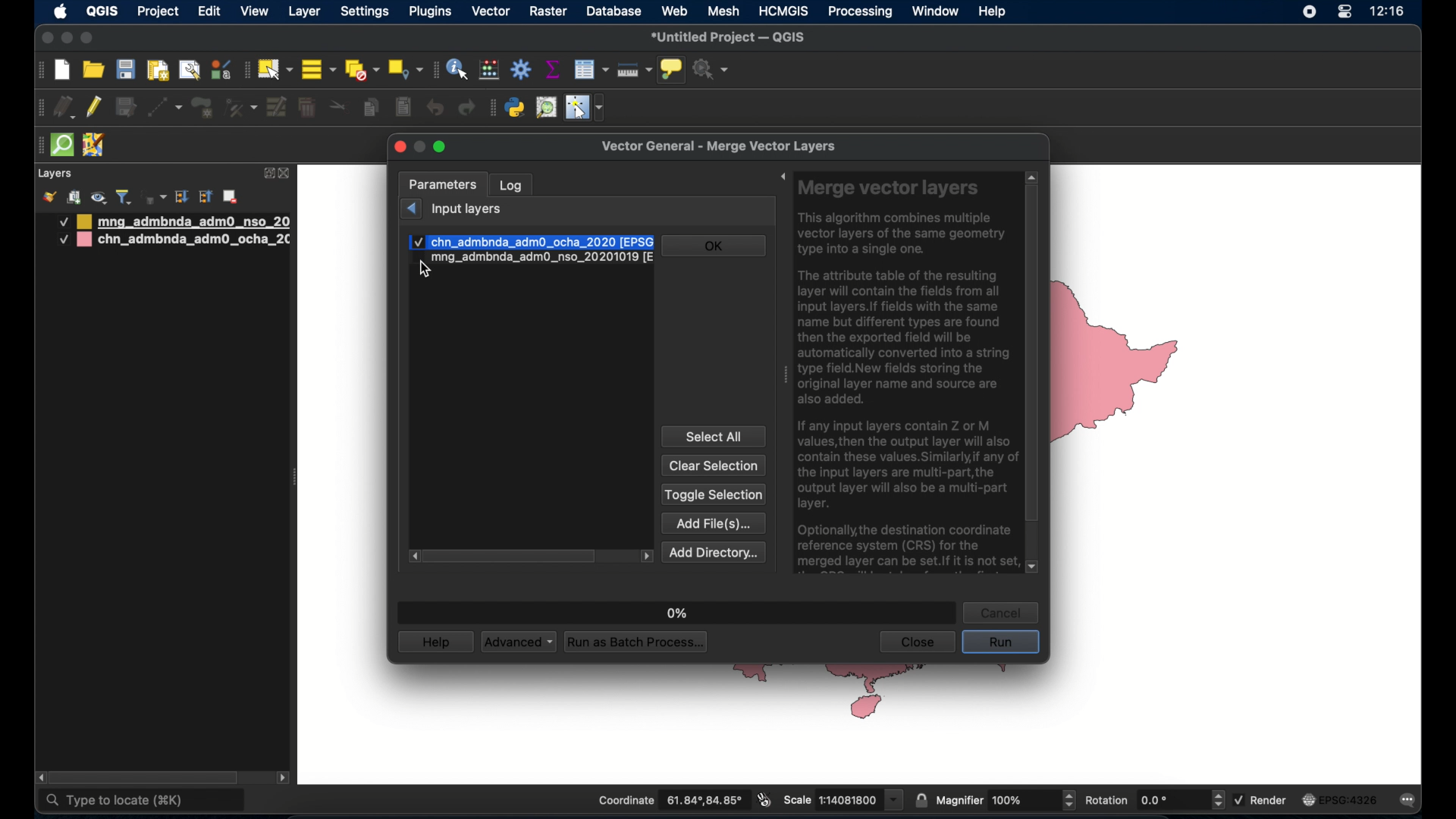  What do you see at coordinates (268, 172) in the screenshot?
I see `expand` at bounding box center [268, 172].